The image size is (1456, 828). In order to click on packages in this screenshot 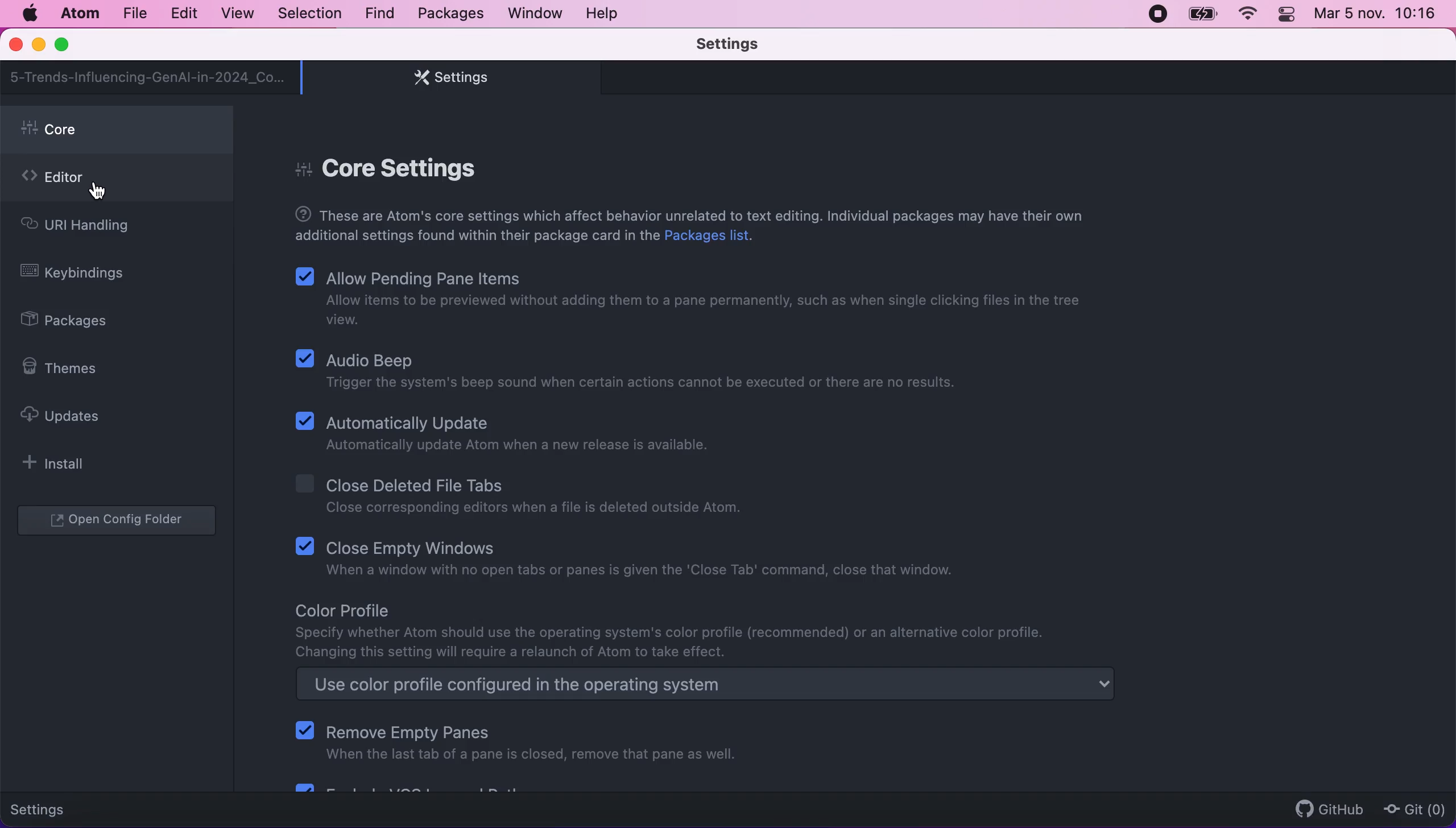, I will do `click(77, 322)`.